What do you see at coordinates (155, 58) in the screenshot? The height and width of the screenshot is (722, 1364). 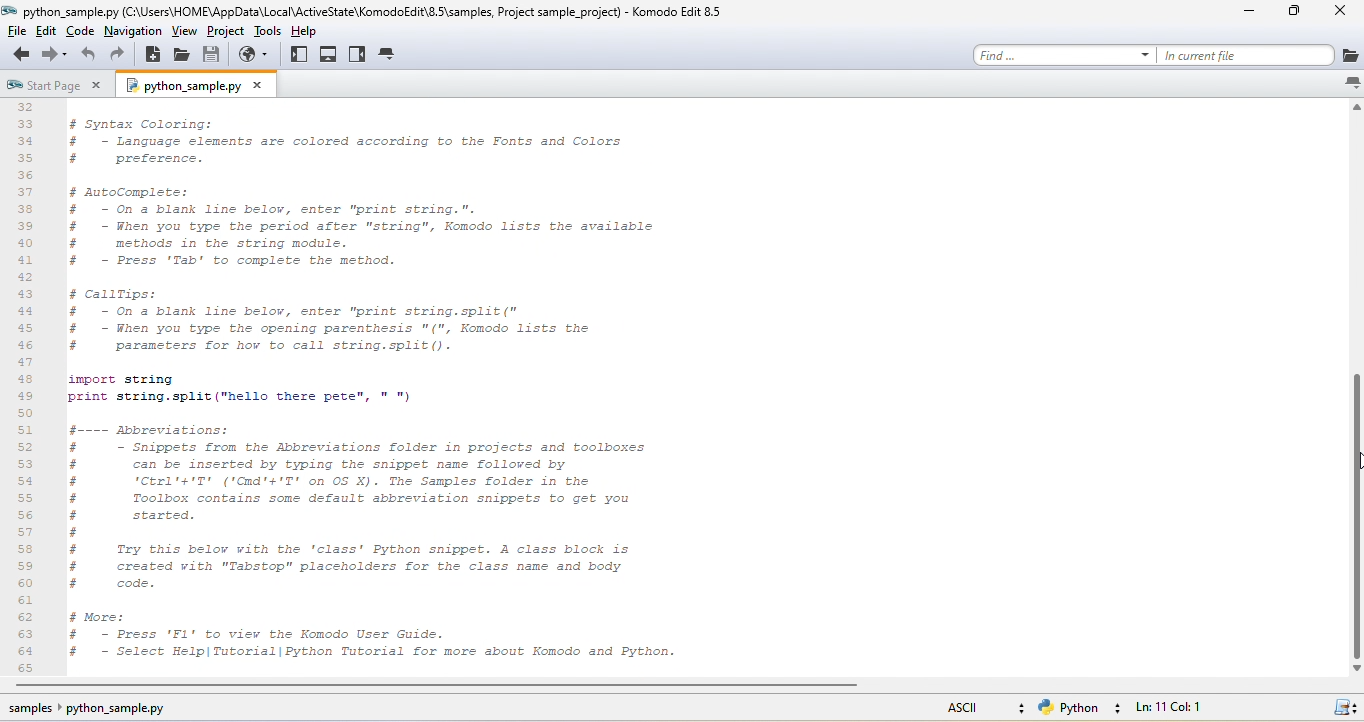 I see `new` at bounding box center [155, 58].